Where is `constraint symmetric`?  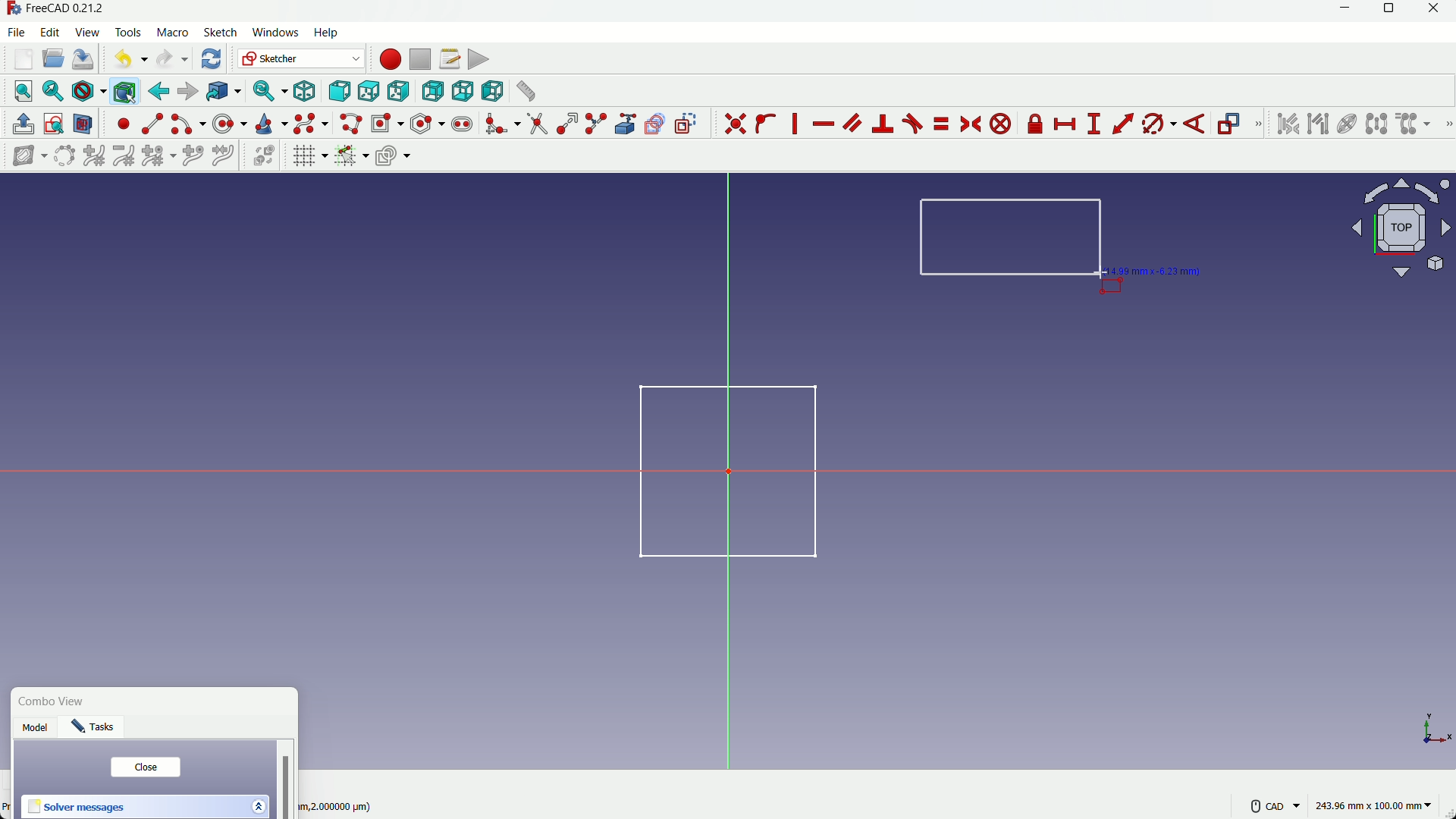 constraint symmetric is located at coordinates (972, 124).